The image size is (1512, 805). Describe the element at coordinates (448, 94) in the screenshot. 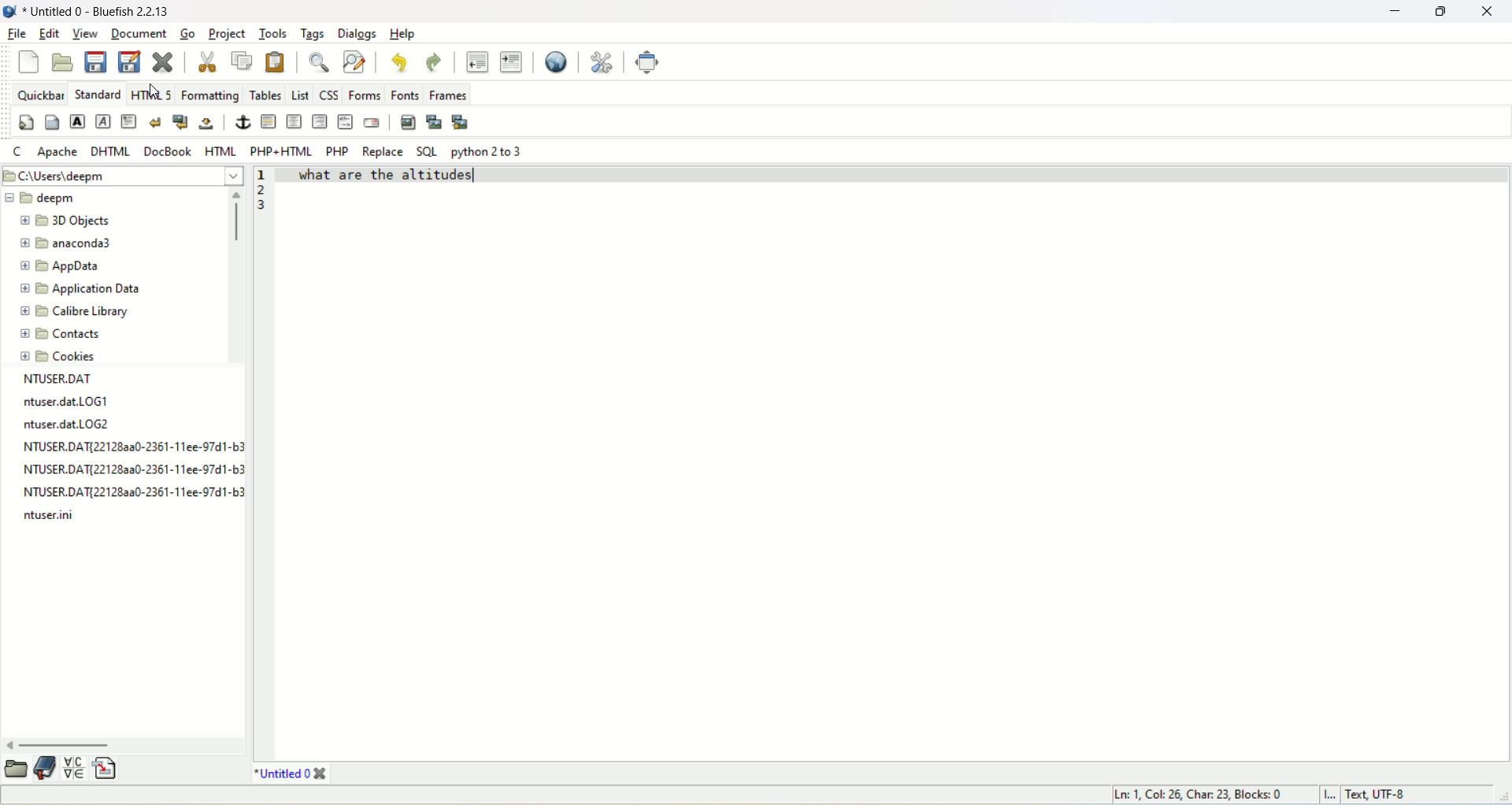

I see `frames` at that location.